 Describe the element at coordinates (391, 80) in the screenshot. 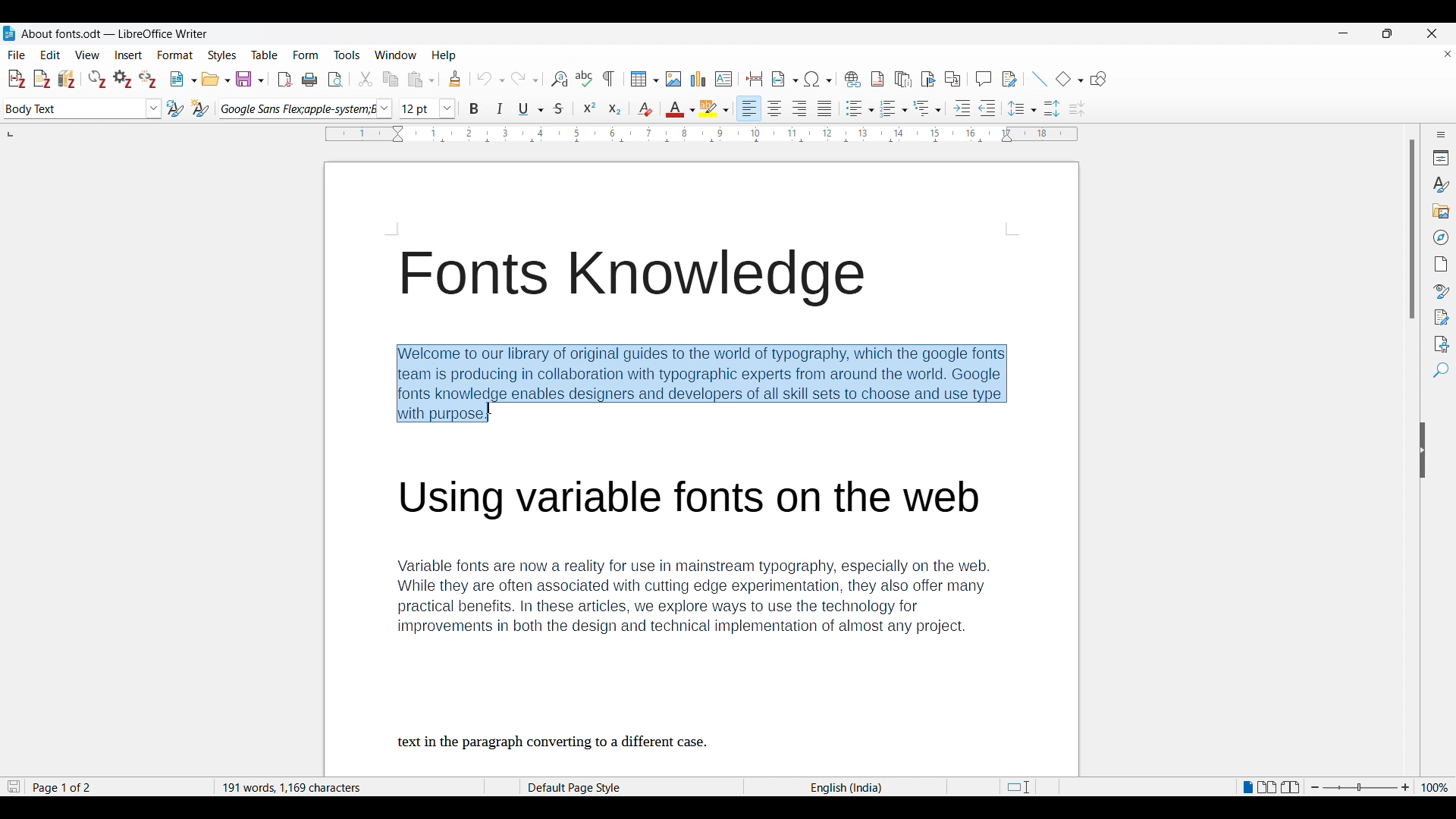

I see `Copy` at that location.